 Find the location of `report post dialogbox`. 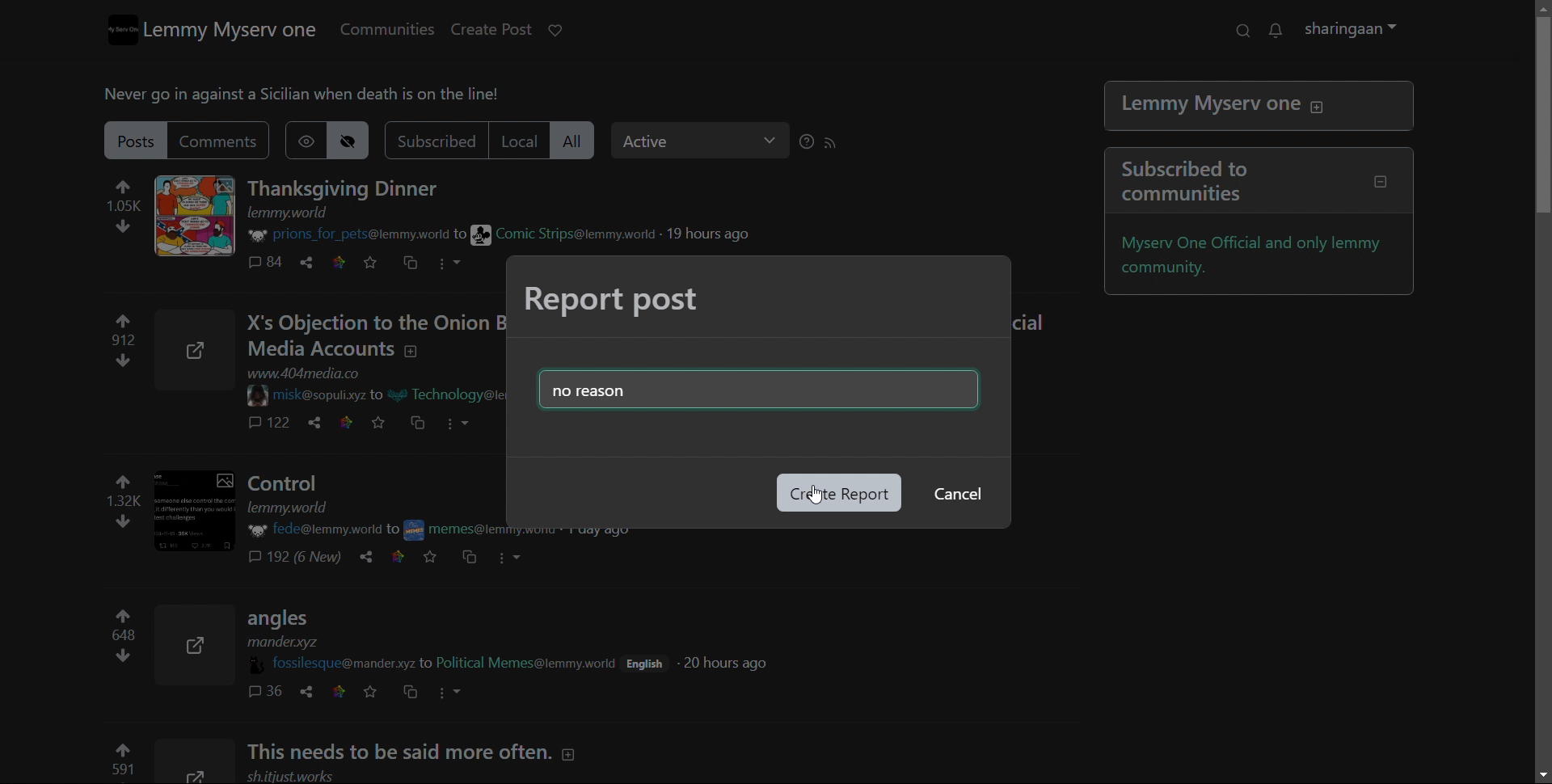

report post dialogbox is located at coordinates (614, 301).